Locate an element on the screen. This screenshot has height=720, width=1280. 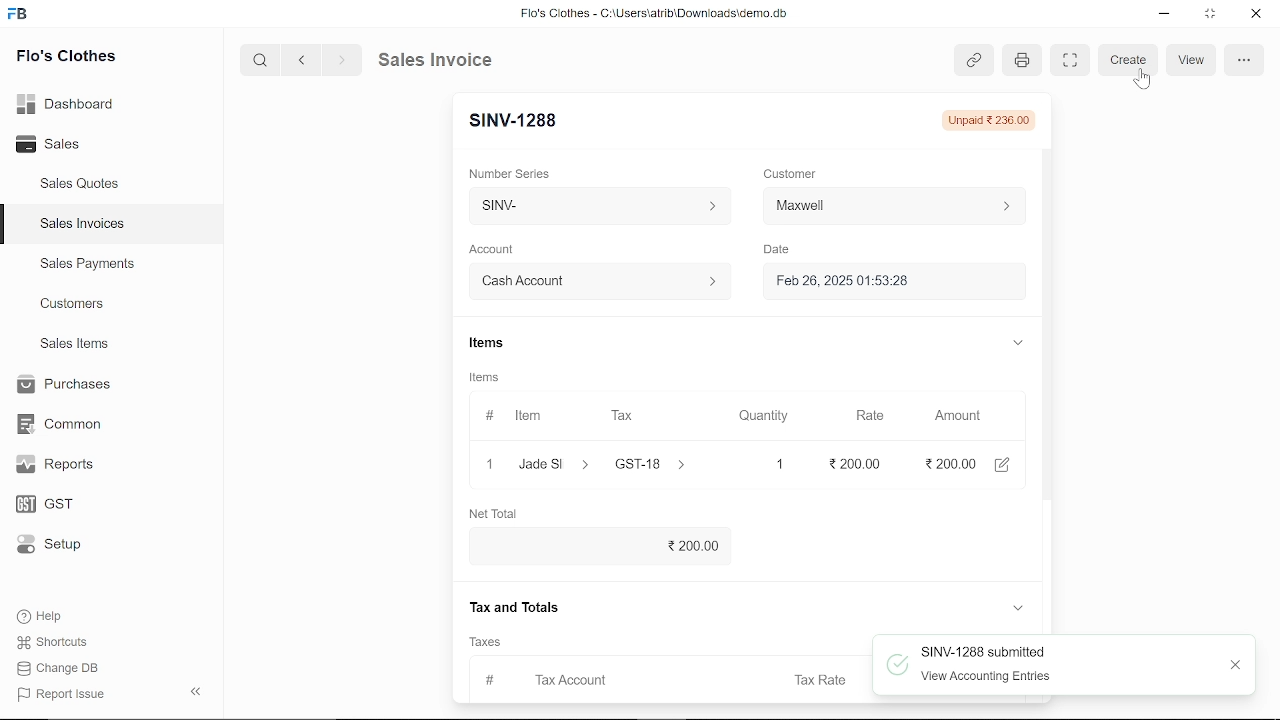
 is located at coordinates (487, 379).